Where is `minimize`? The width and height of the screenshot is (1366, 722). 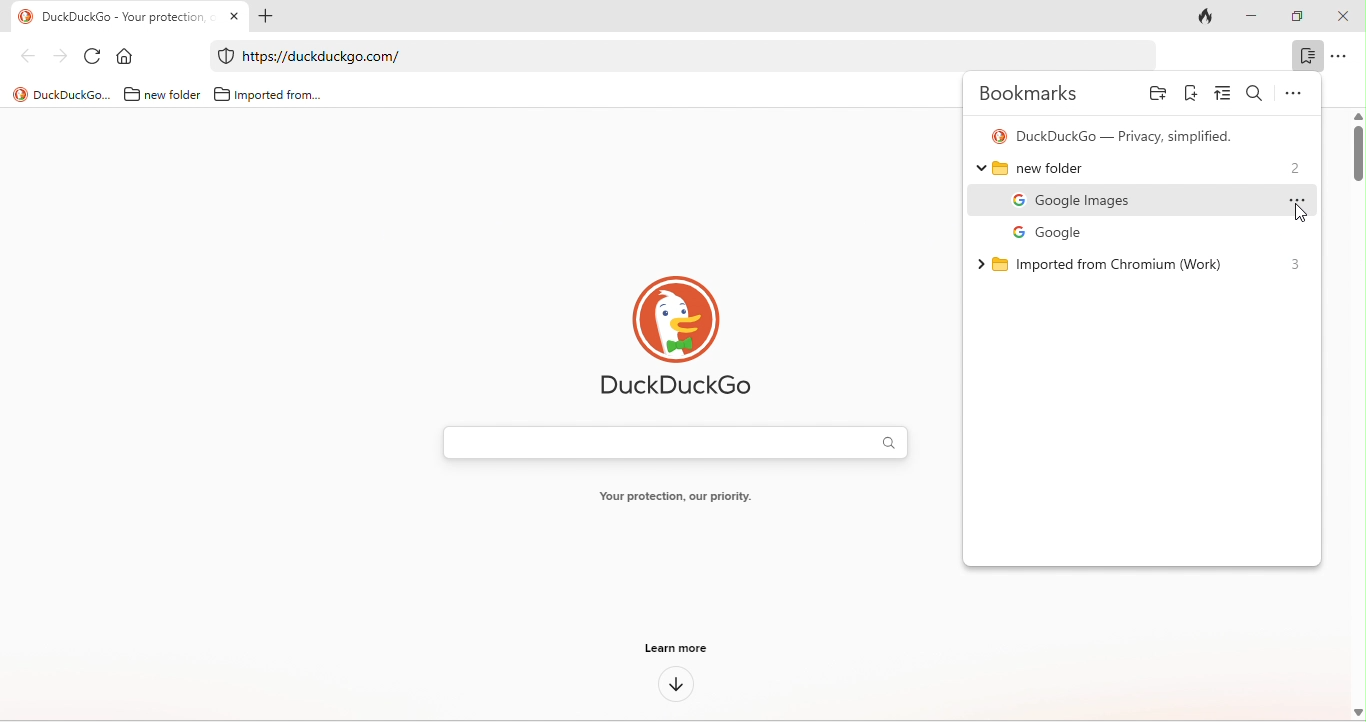 minimize is located at coordinates (1260, 17).